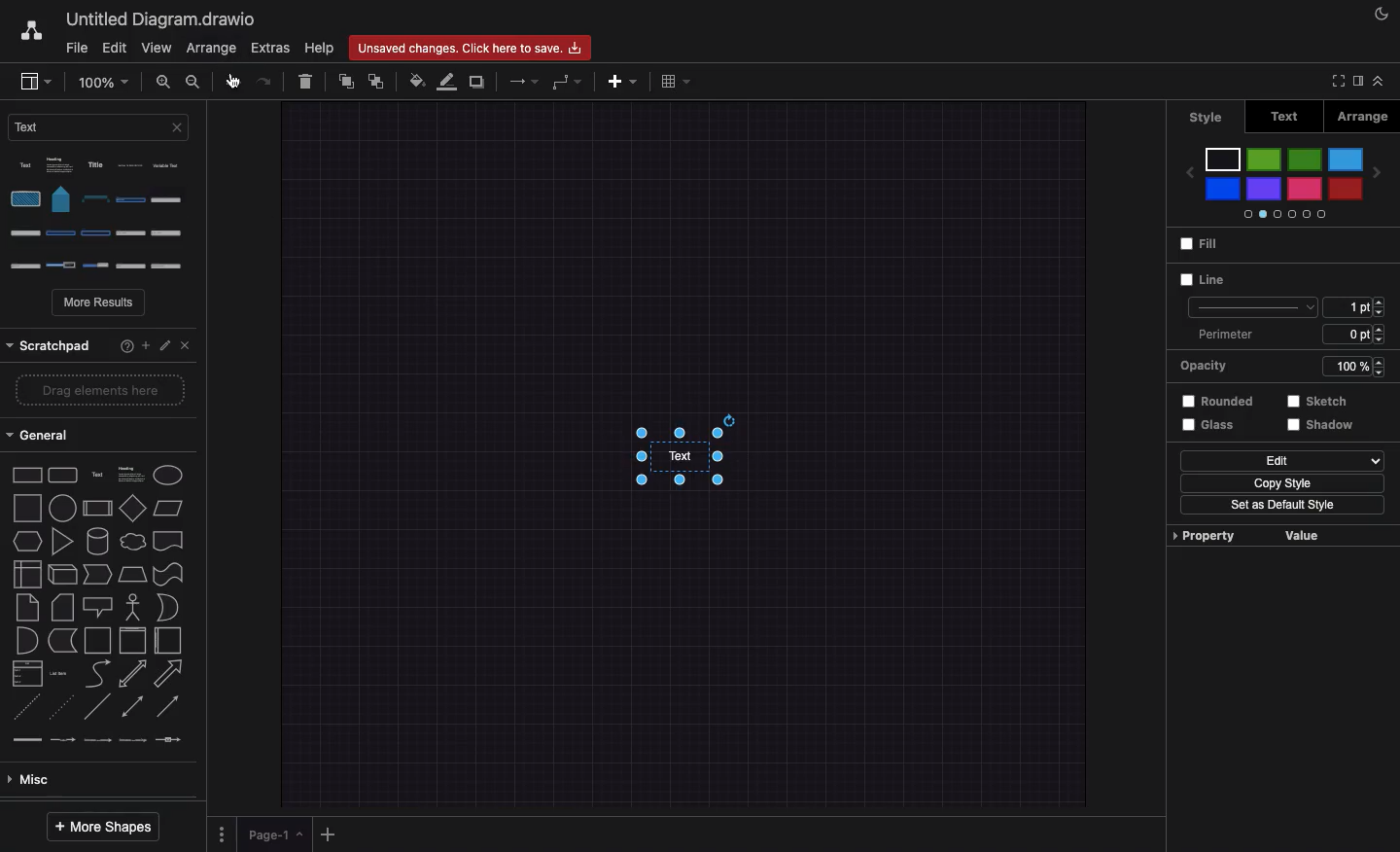 The height and width of the screenshot is (852, 1400). I want to click on Extras, so click(269, 48).